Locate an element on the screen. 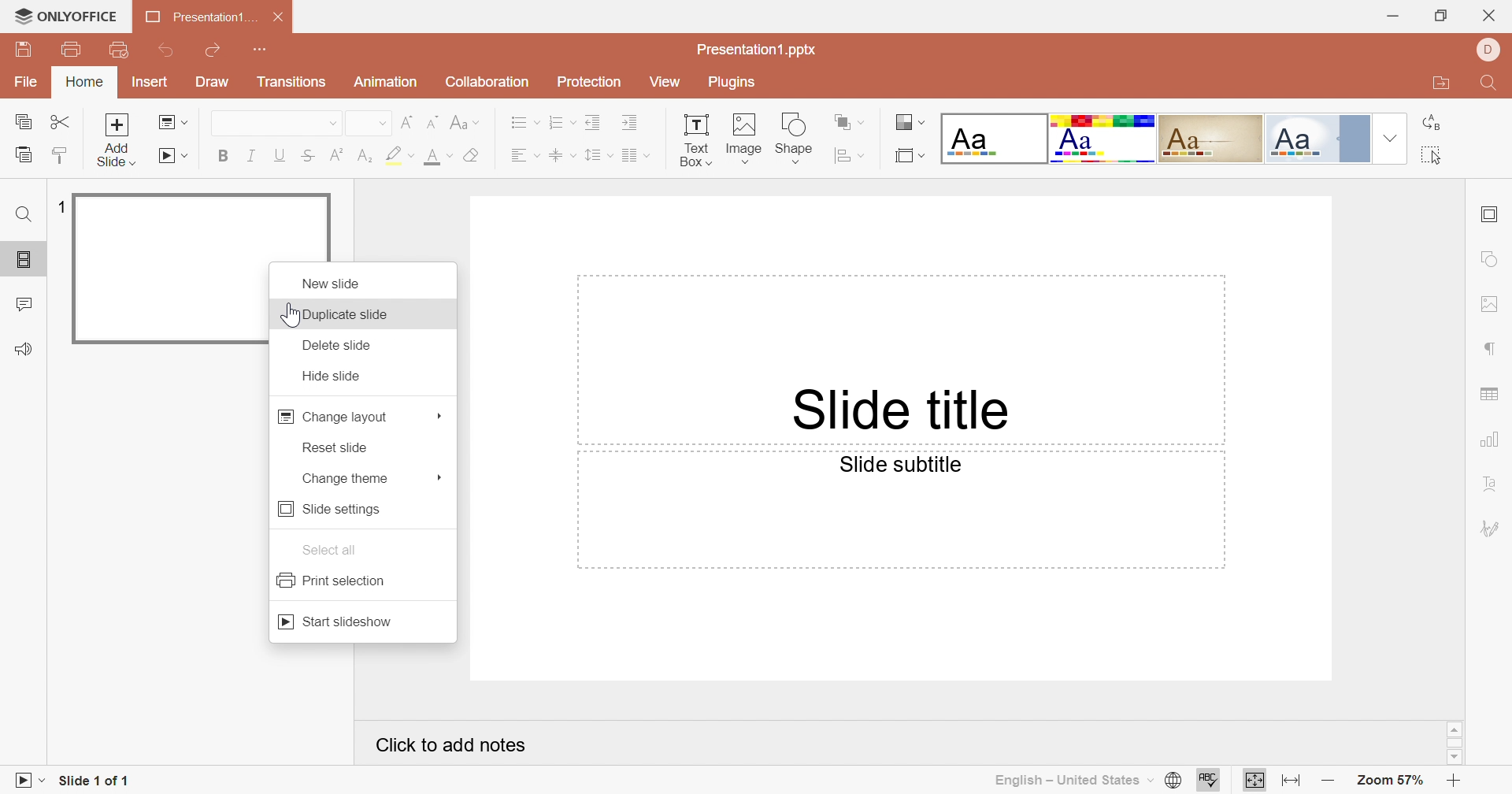 This screenshot has width=1512, height=794. Print is located at coordinates (74, 50).